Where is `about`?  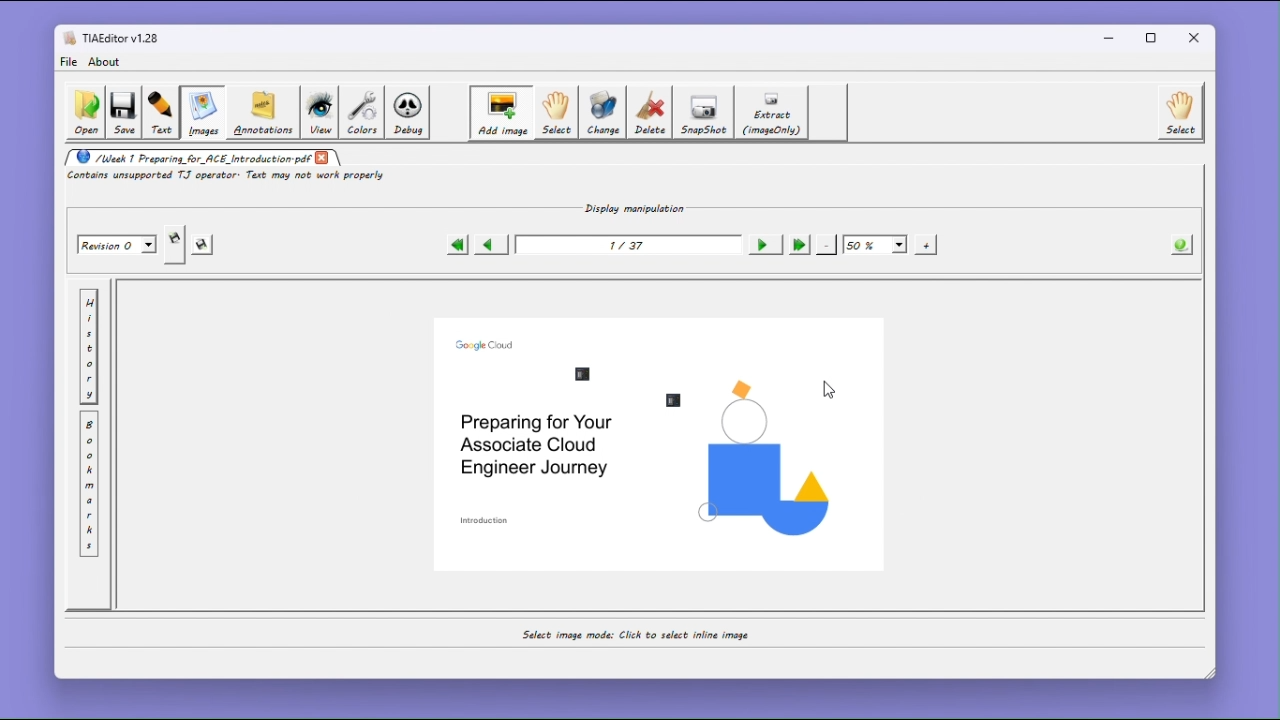 about is located at coordinates (107, 62).